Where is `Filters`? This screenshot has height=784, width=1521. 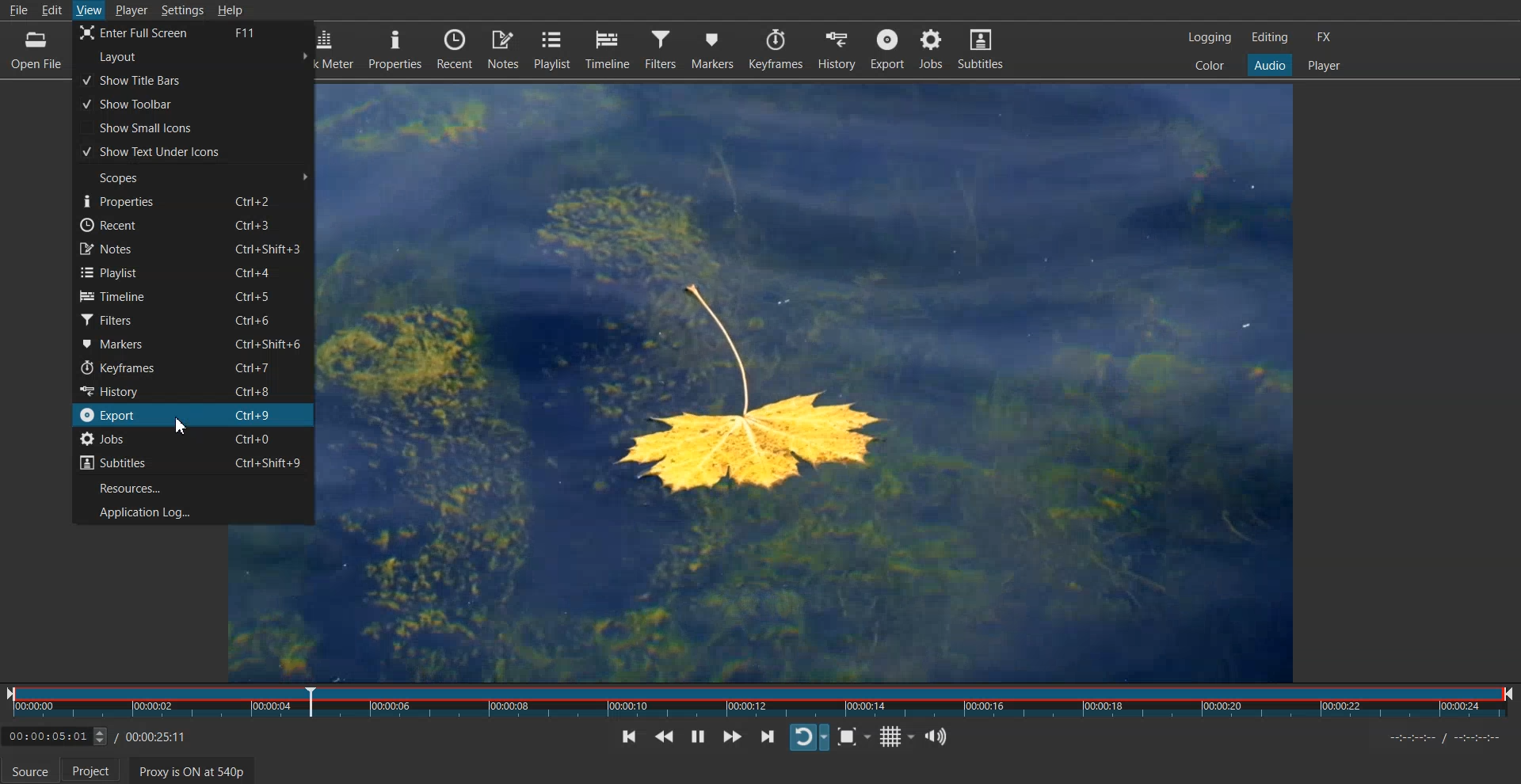
Filters is located at coordinates (193, 318).